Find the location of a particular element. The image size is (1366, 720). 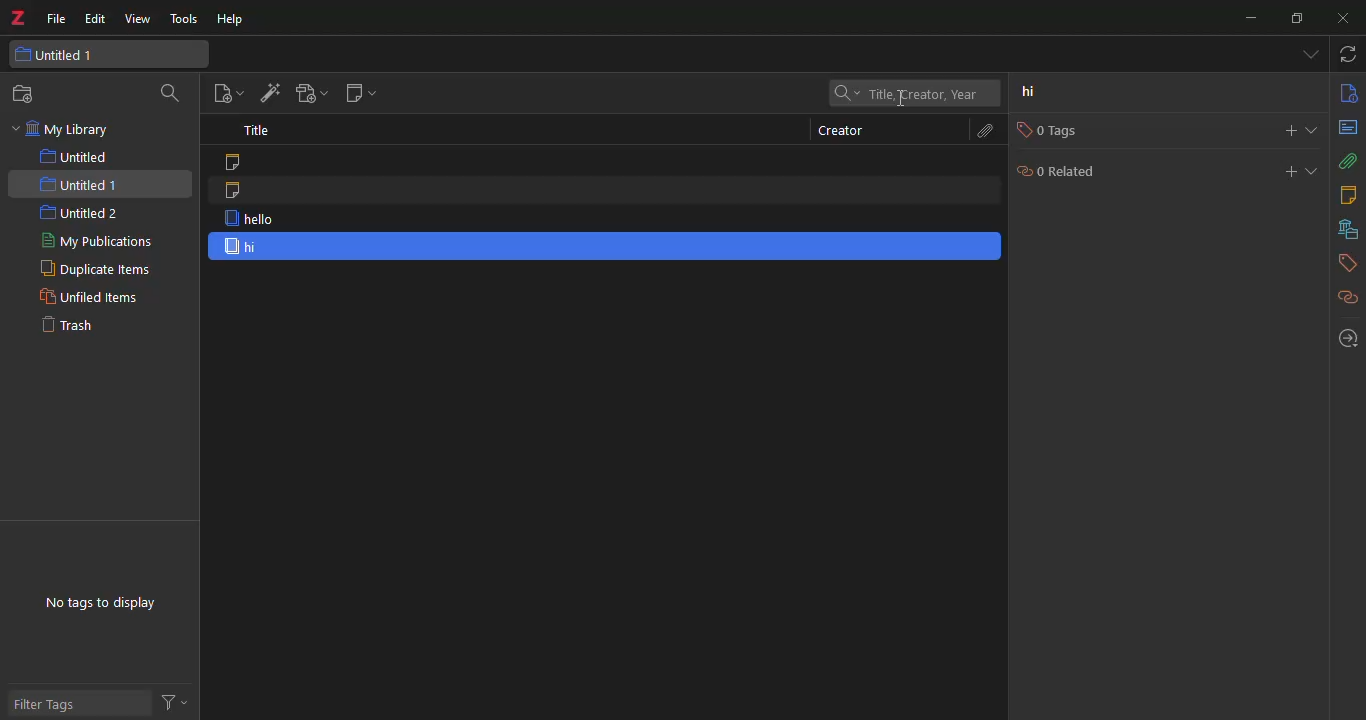

0 tags is located at coordinates (1043, 130).